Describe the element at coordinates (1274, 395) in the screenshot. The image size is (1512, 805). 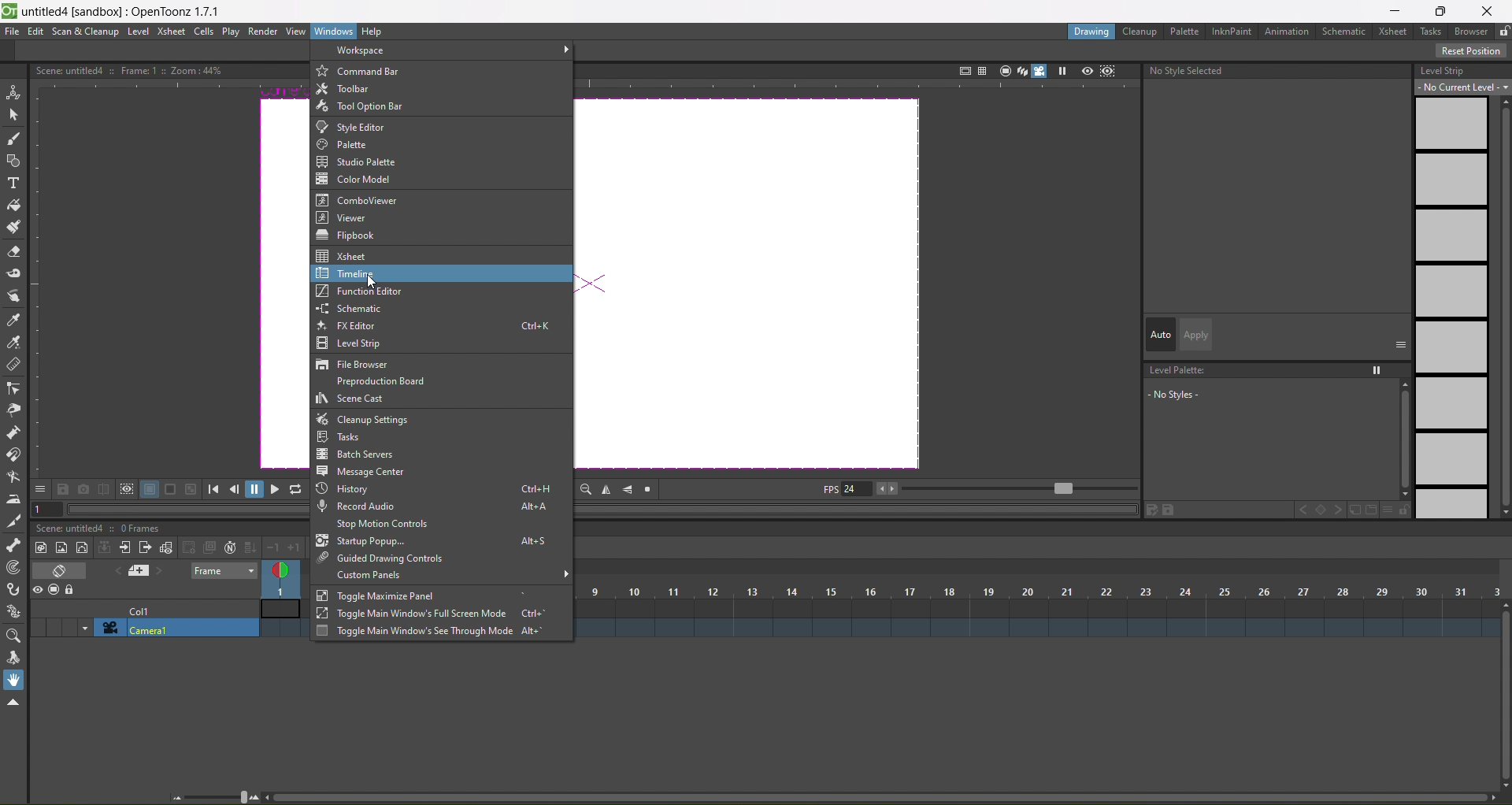
I see `level palette` at that location.